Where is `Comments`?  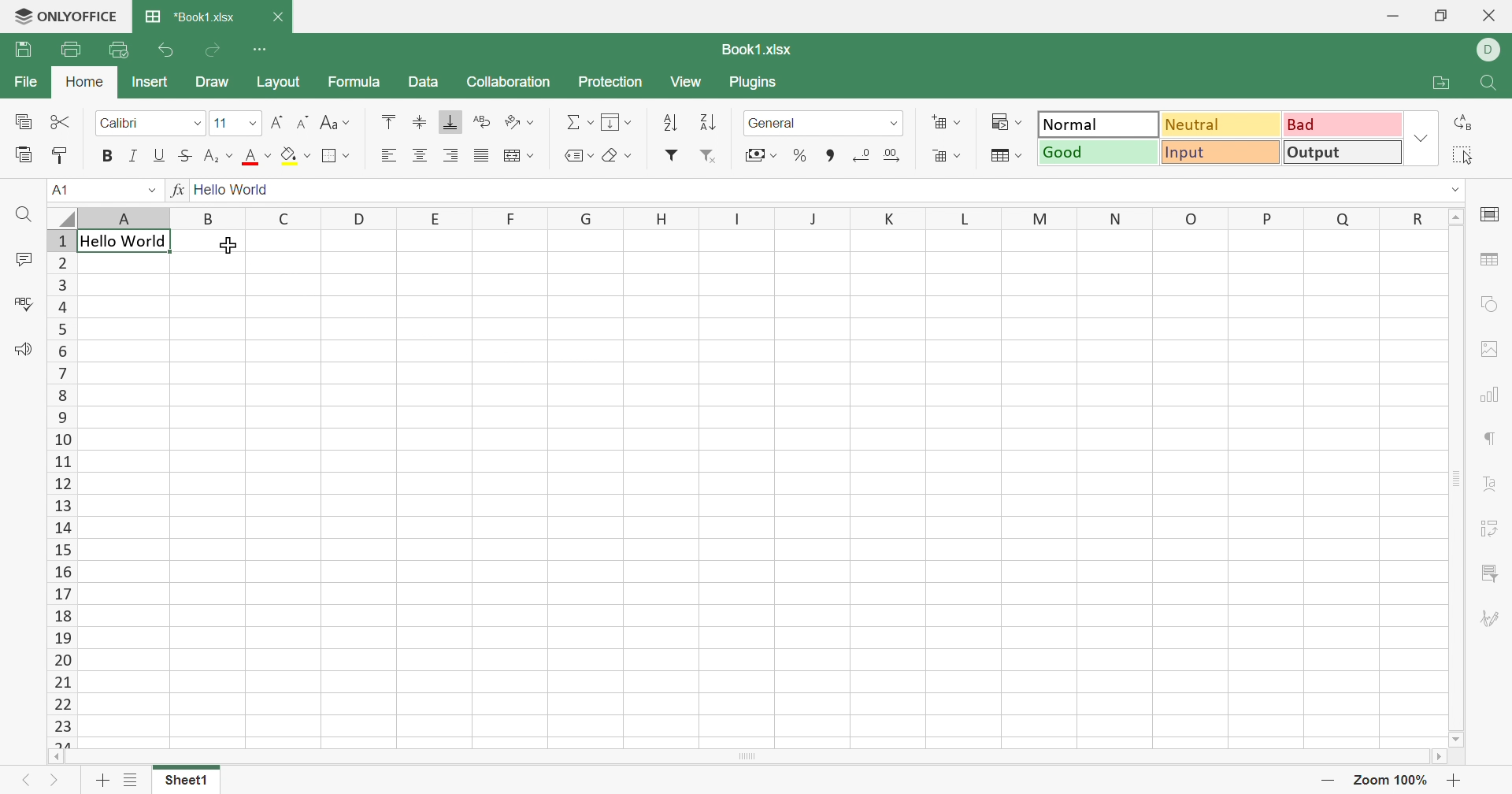
Comments is located at coordinates (24, 260).